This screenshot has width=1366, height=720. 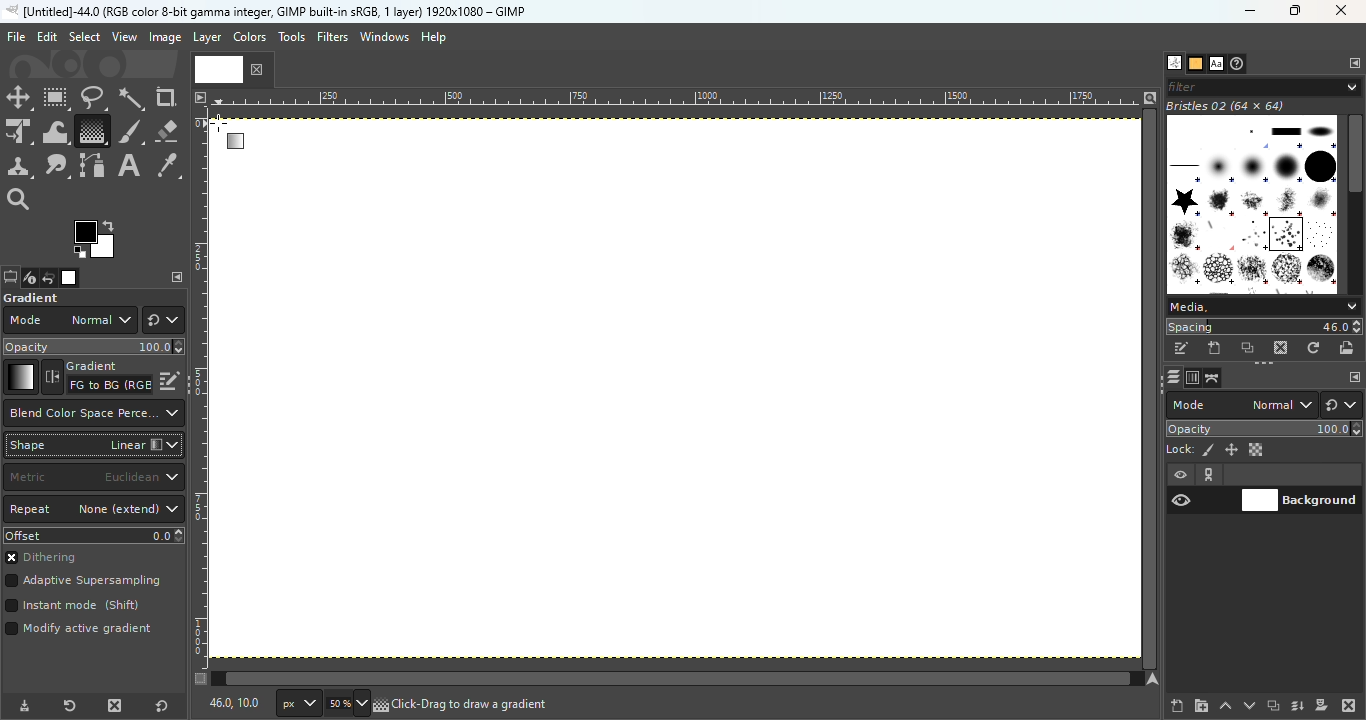 I want to click on Rectangle select tool, so click(x=57, y=99).